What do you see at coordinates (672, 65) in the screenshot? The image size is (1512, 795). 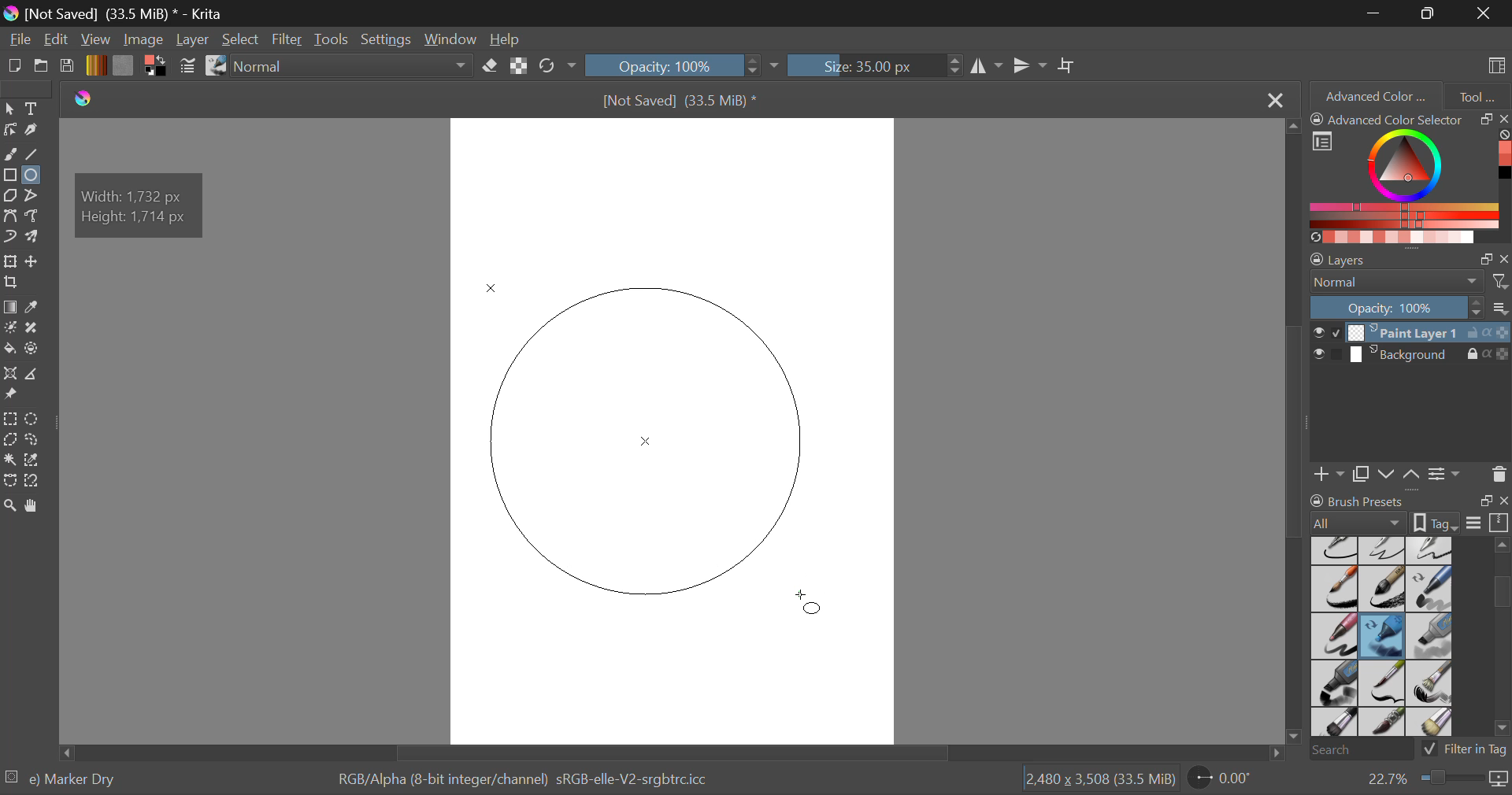 I see `Opacity 100%` at bounding box center [672, 65].